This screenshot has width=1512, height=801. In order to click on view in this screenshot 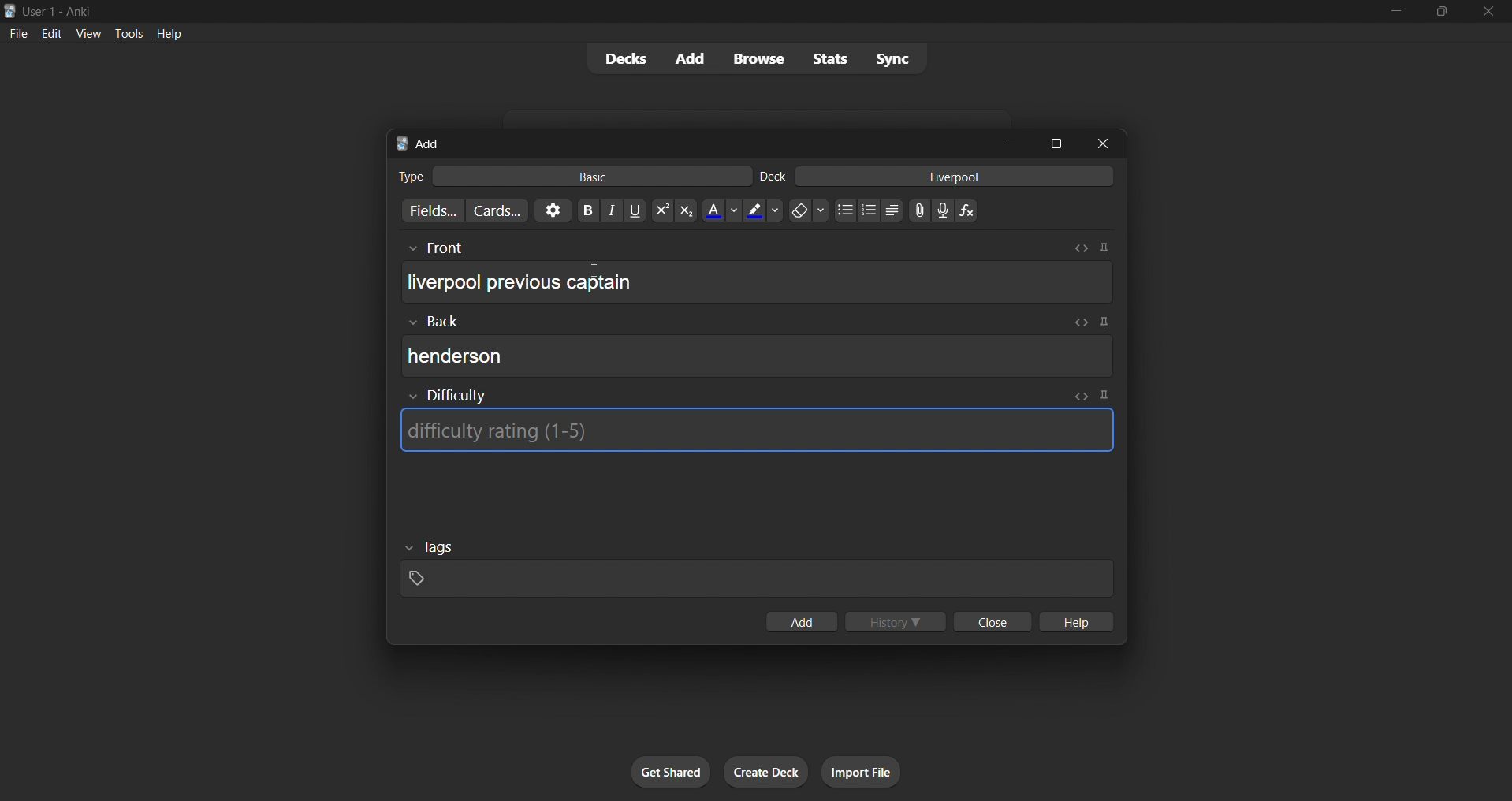, I will do `click(87, 33)`.